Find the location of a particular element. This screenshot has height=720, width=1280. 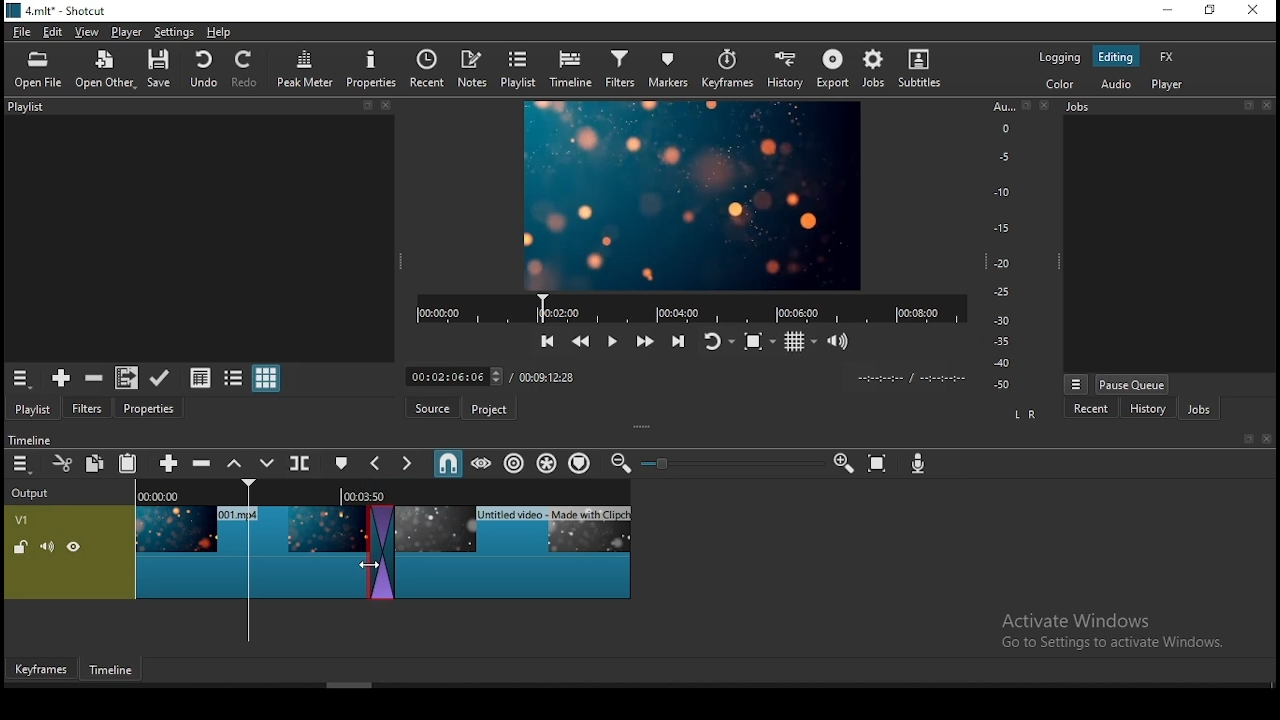

notes is located at coordinates (473, 68).